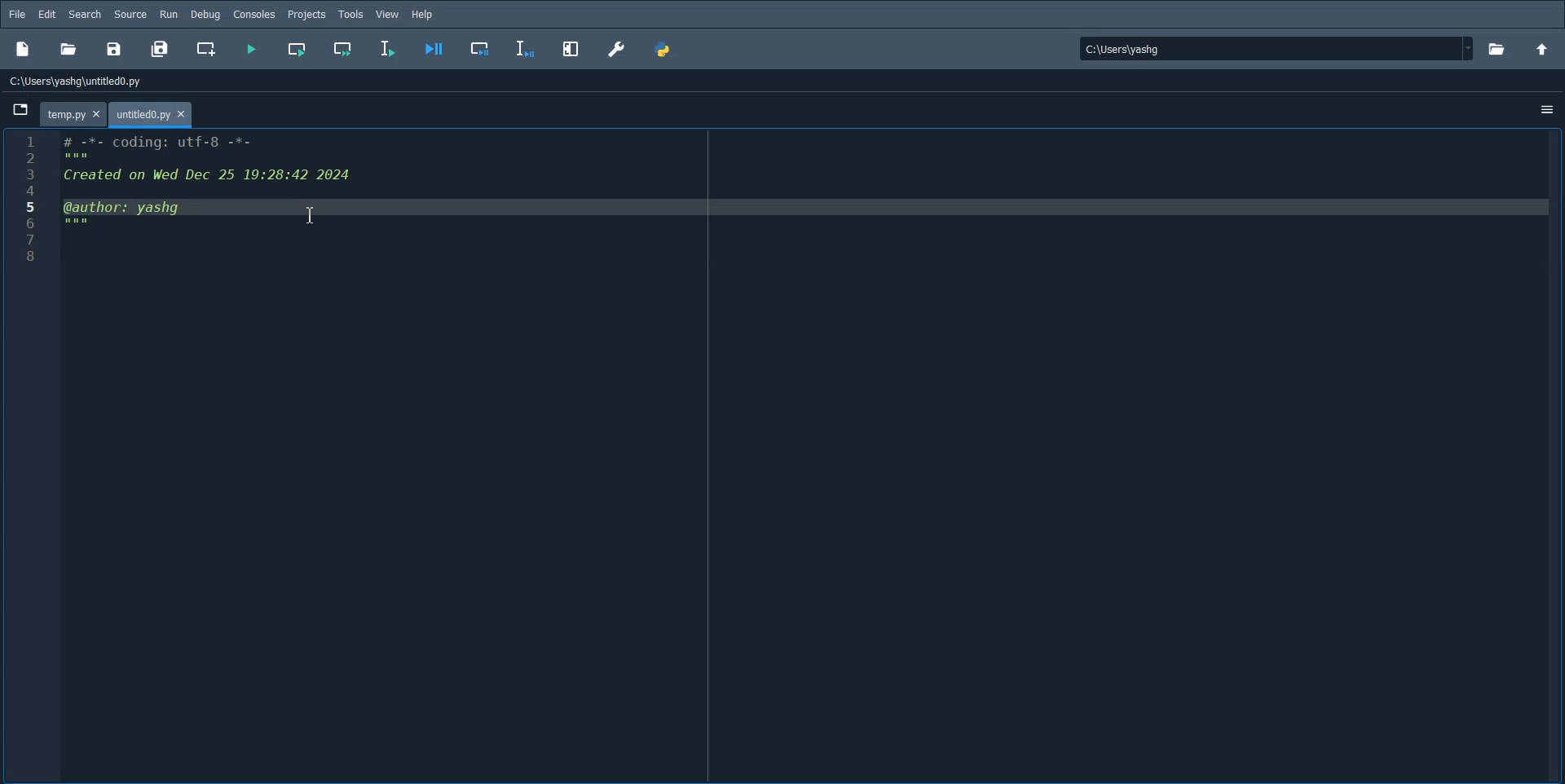 Image resolution: width=1565 pixels, height=784 pixels. Describe the element at coordinates (298, 51) in the screenshot. I see `Run current all file` at that location.